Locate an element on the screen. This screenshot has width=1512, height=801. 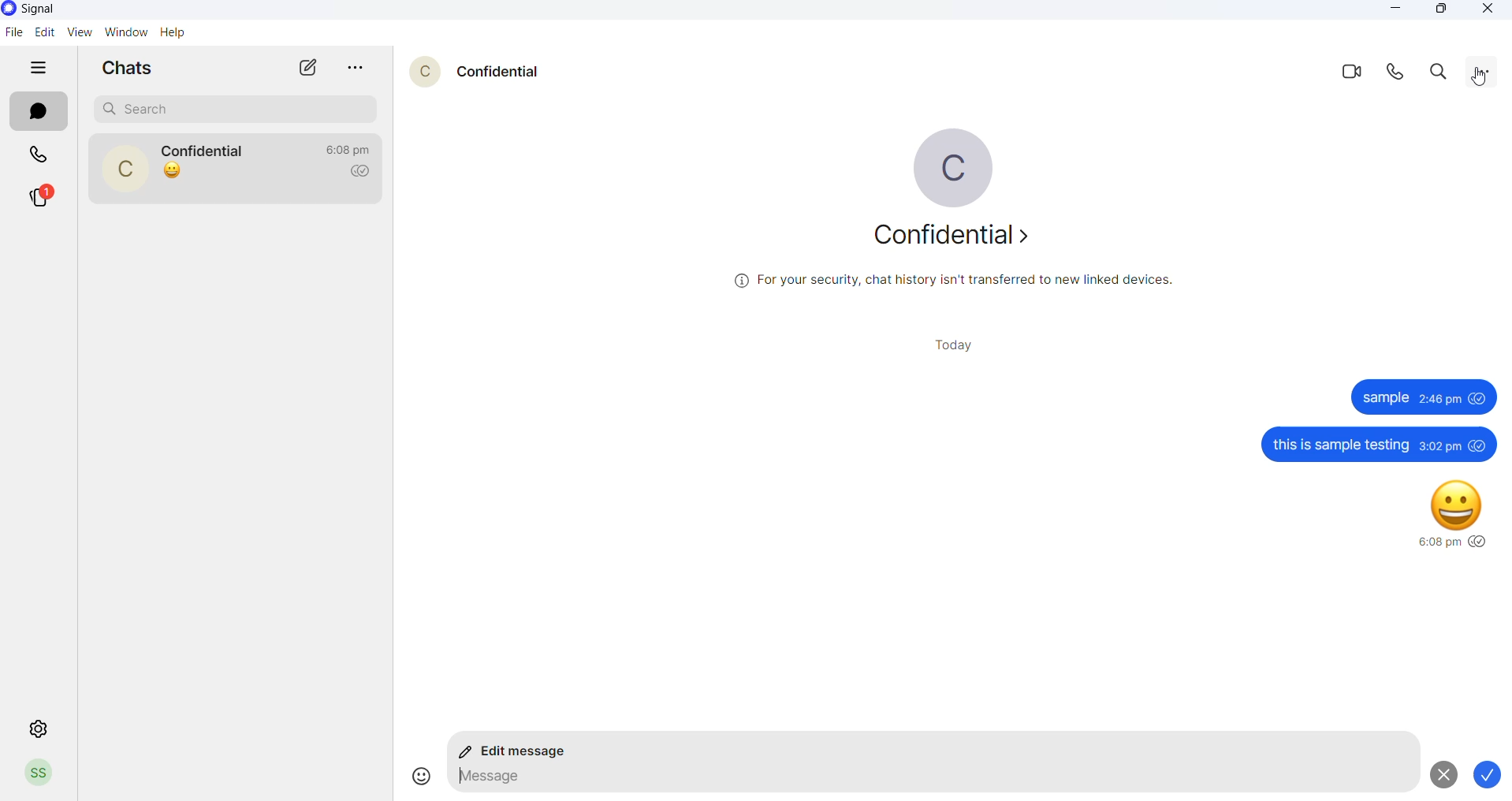
2:48 pm is located at coordinates (1440, 398).